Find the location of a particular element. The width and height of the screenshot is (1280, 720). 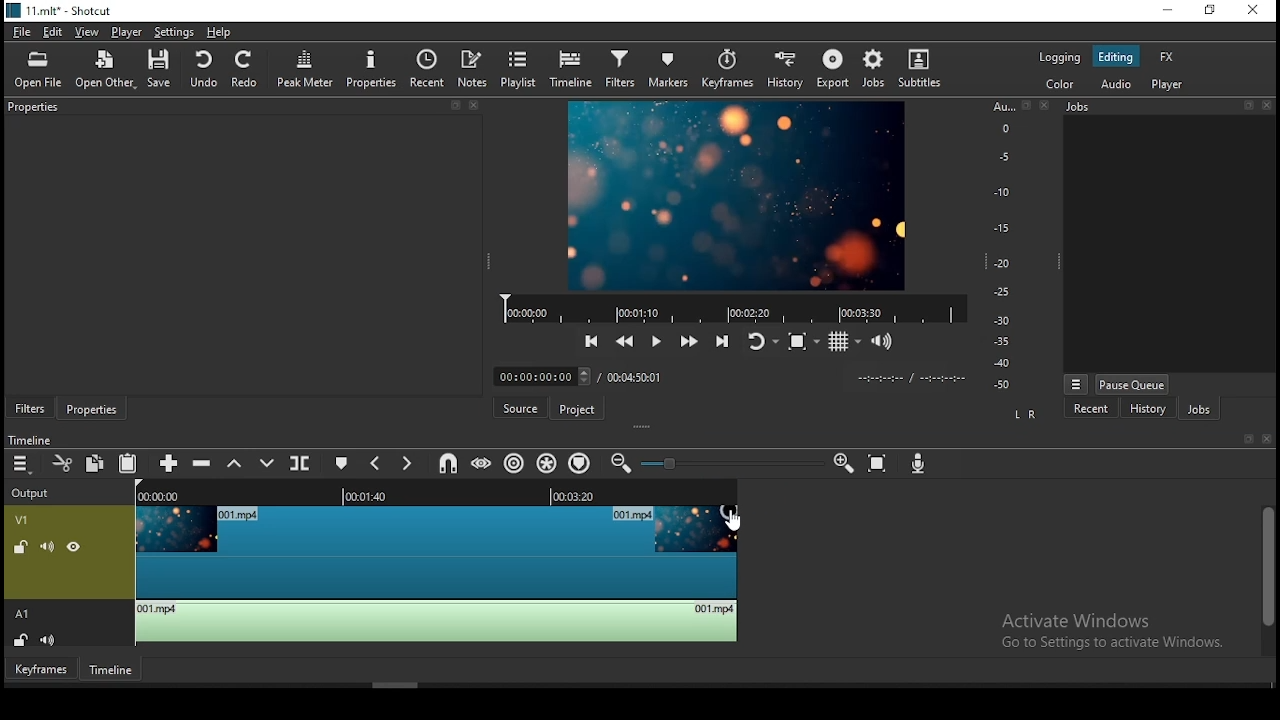

project is located at coordinates (576, 410).